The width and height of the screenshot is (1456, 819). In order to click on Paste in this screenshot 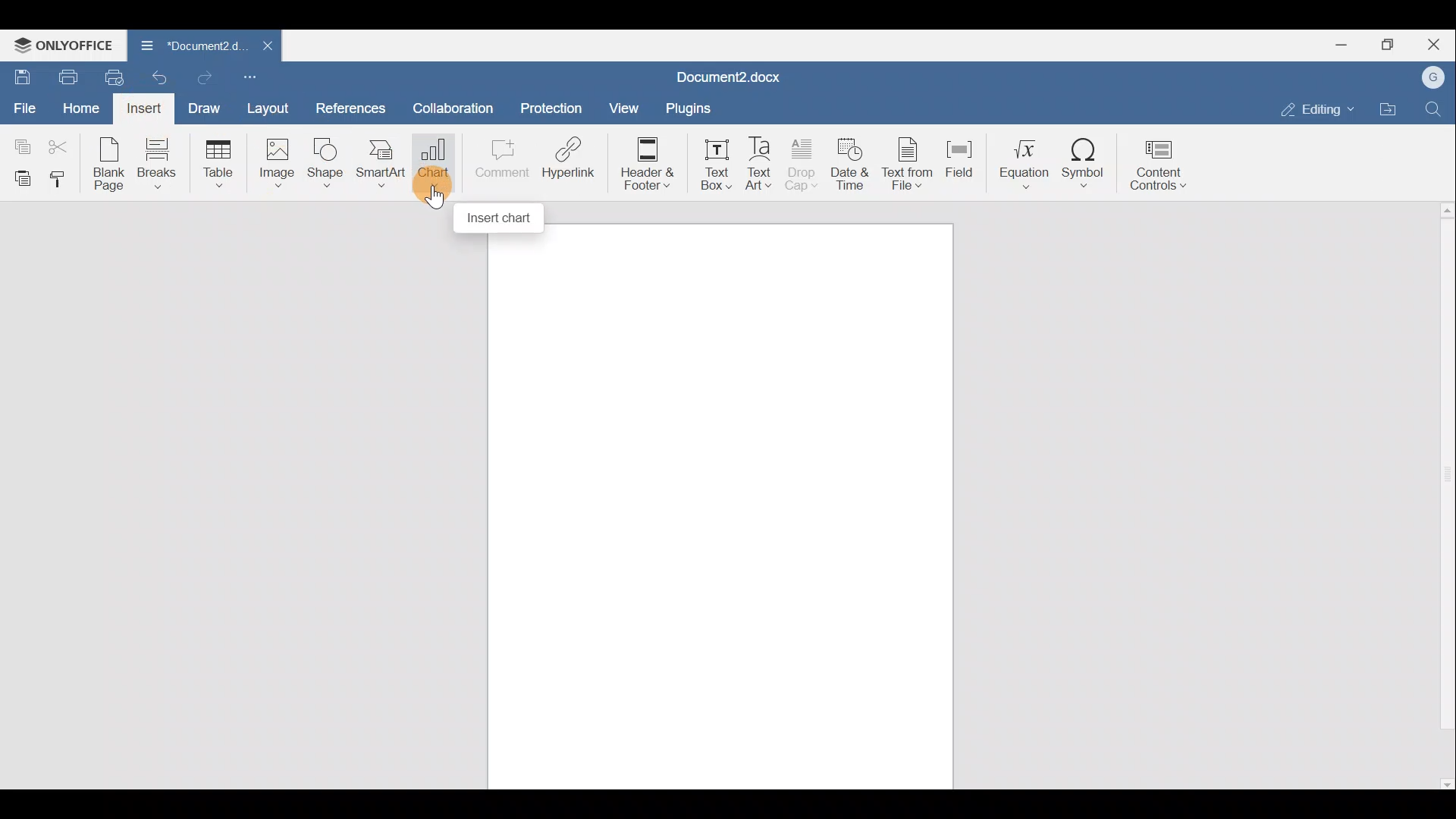, I will do `click(19, 177)`.